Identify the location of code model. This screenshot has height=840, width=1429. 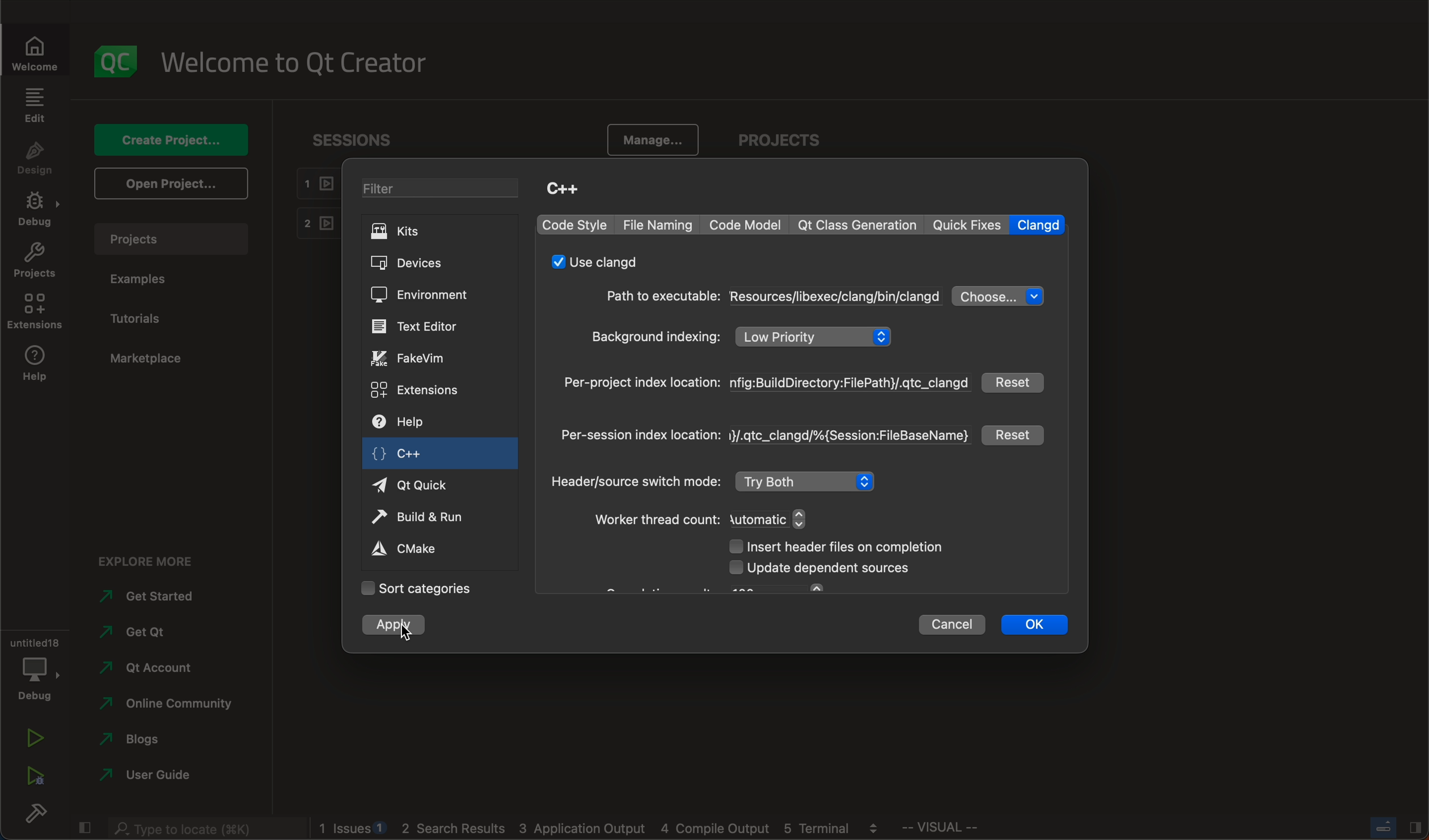
(747, 224).